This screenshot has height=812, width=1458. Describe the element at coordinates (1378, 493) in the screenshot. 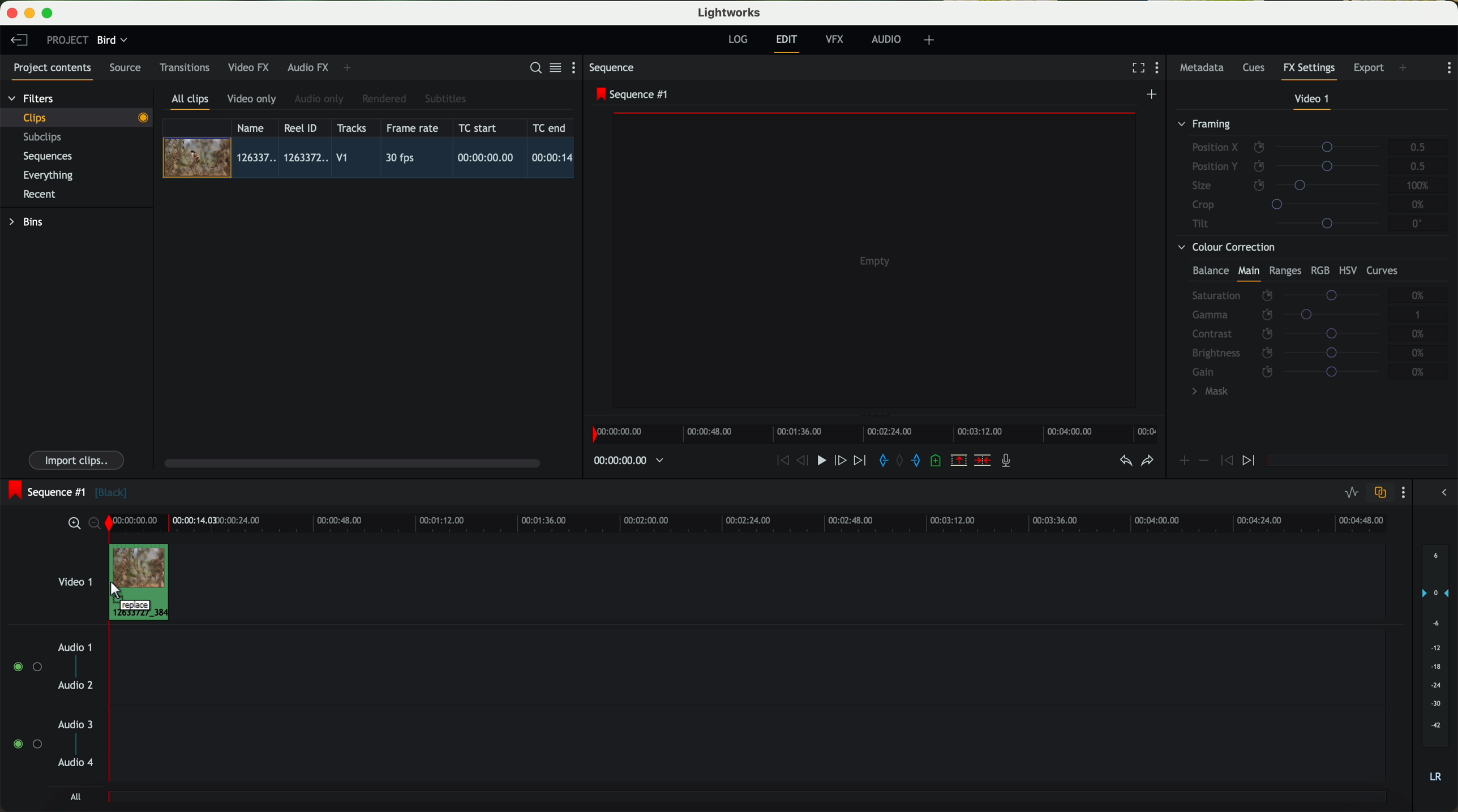

I see `toggle auto track sync` at that location.